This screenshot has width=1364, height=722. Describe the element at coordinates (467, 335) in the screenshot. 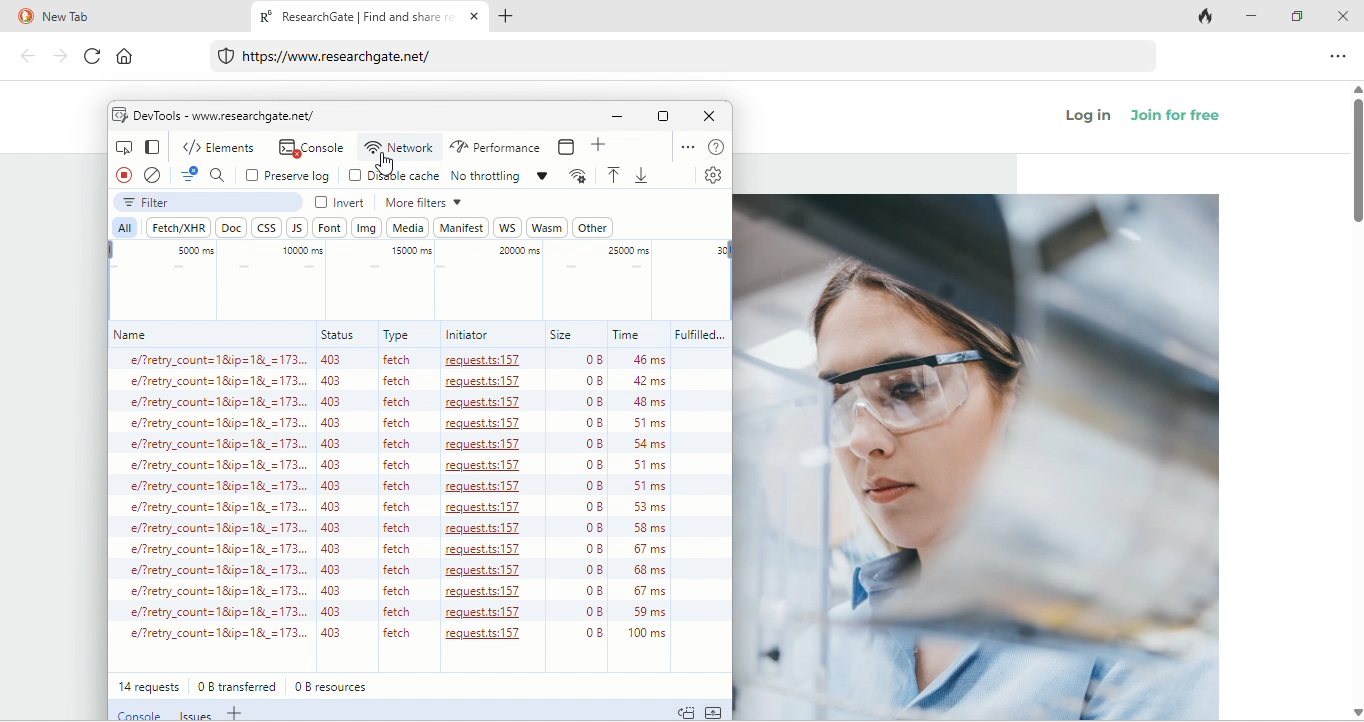

I see `initiator` at that location.